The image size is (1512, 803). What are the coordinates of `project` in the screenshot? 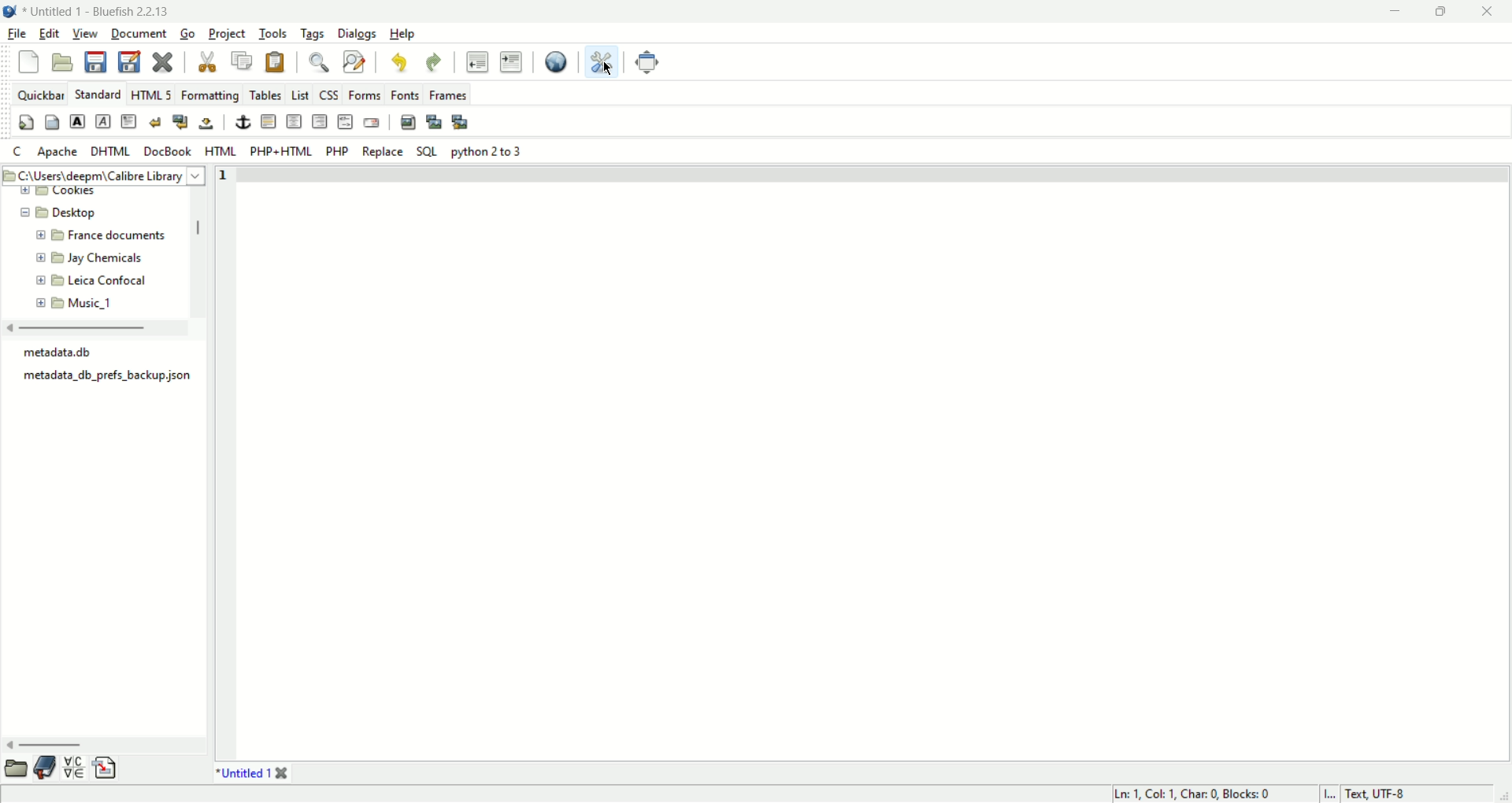 It's located at (228, 33).